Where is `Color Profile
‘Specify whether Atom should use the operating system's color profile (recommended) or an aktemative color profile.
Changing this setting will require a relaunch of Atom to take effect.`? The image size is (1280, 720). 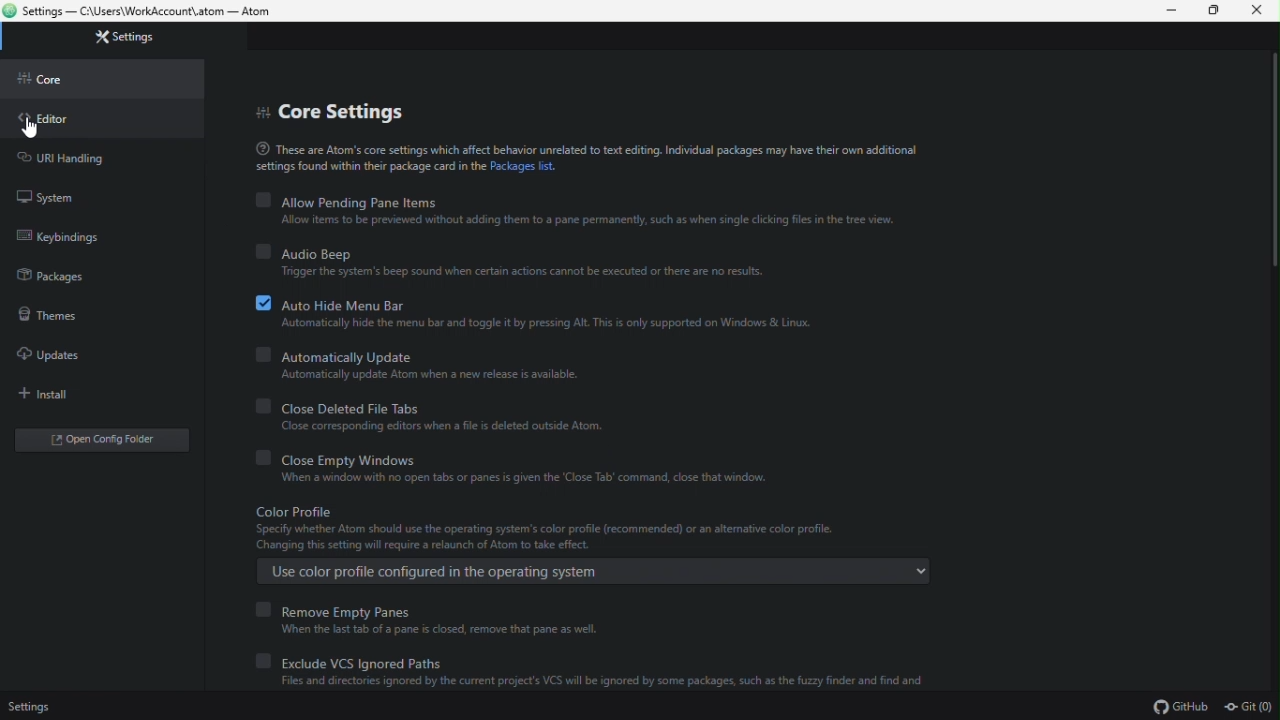 Color Profile
‘Specify whether Atom should use the operating system's color profile (recommended) or an aktemative color profile.
Changing this setting will require a relaunch of Atom to take effect. is located at coordinates (580, 529).